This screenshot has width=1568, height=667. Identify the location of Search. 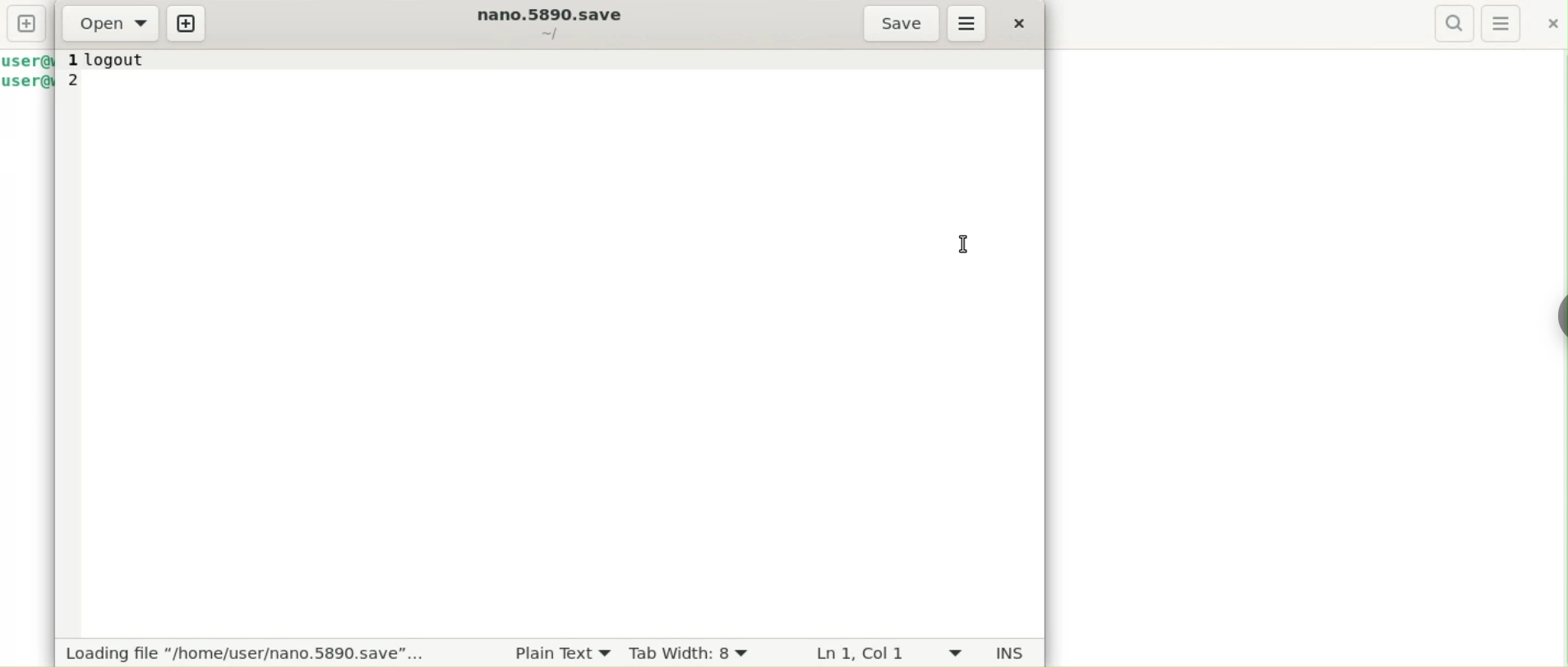
(1453, 23).